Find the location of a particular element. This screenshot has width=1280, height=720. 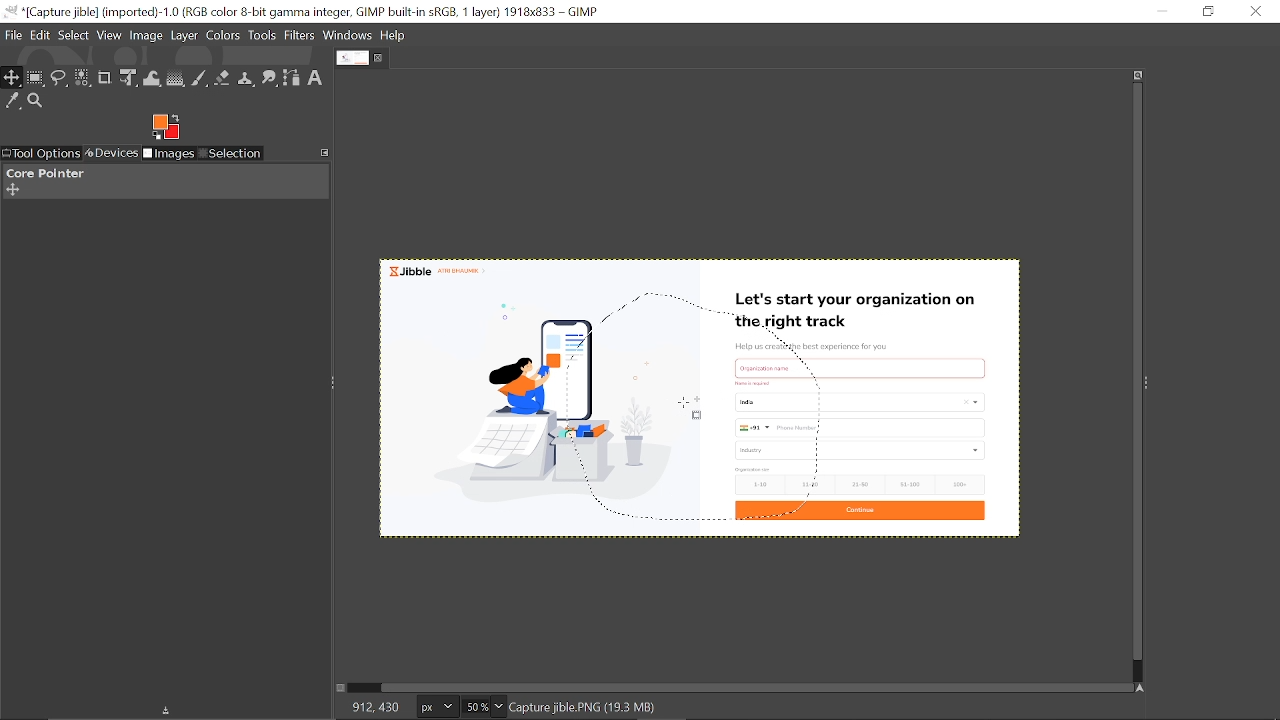

country is located at coordinates (864, 402).